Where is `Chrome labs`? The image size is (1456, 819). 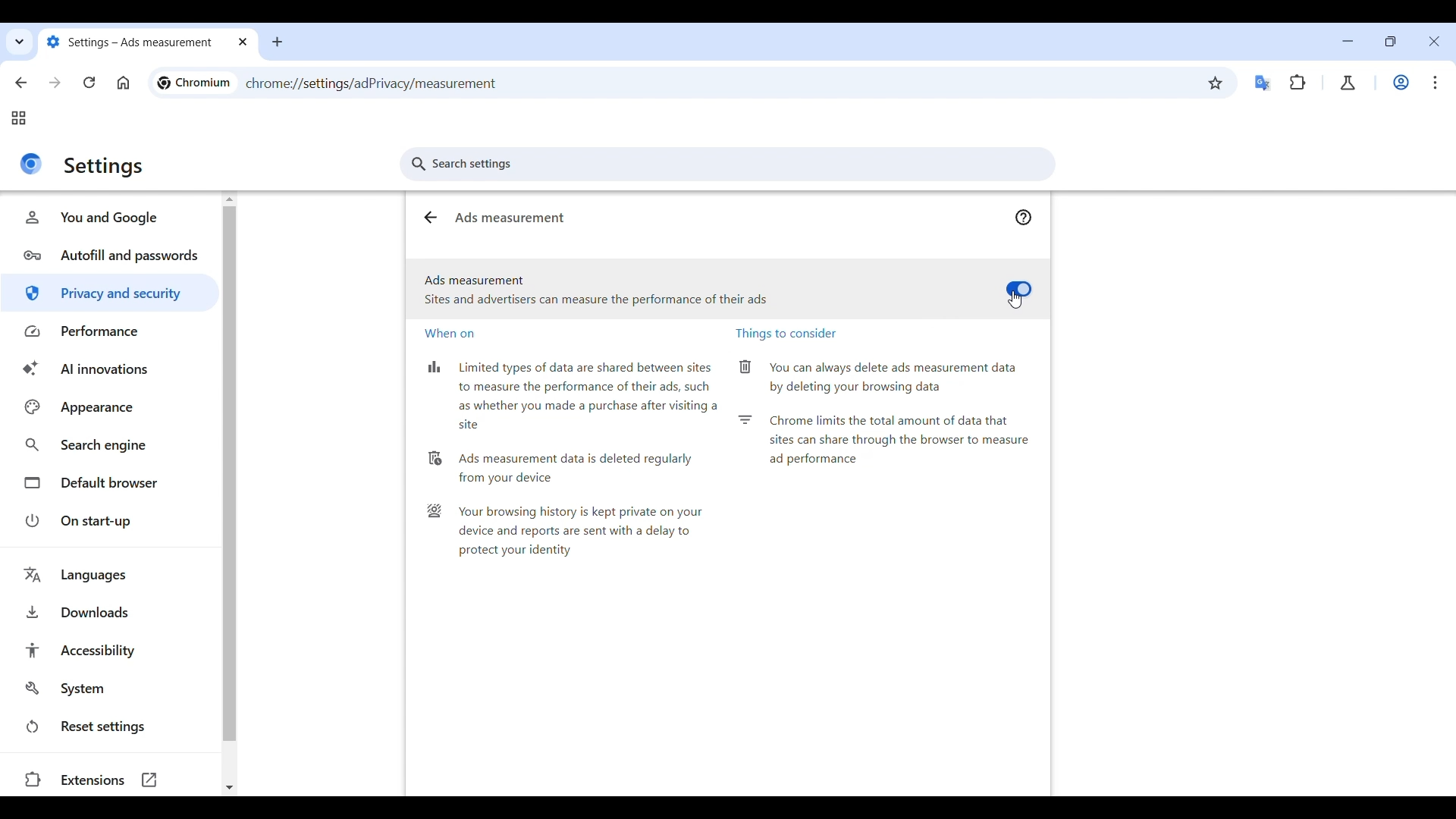 Chrome labs is located at coordinates (1348, 83).